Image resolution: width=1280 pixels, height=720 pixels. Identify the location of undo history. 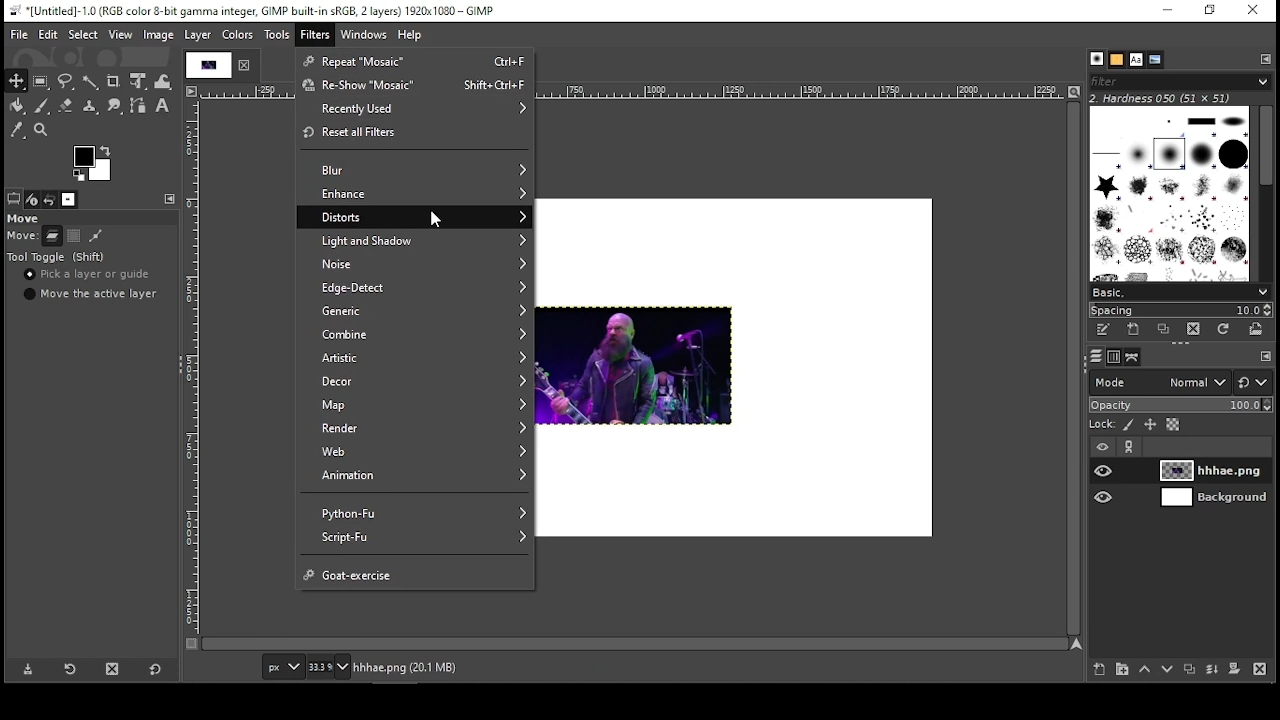
(48, 199).